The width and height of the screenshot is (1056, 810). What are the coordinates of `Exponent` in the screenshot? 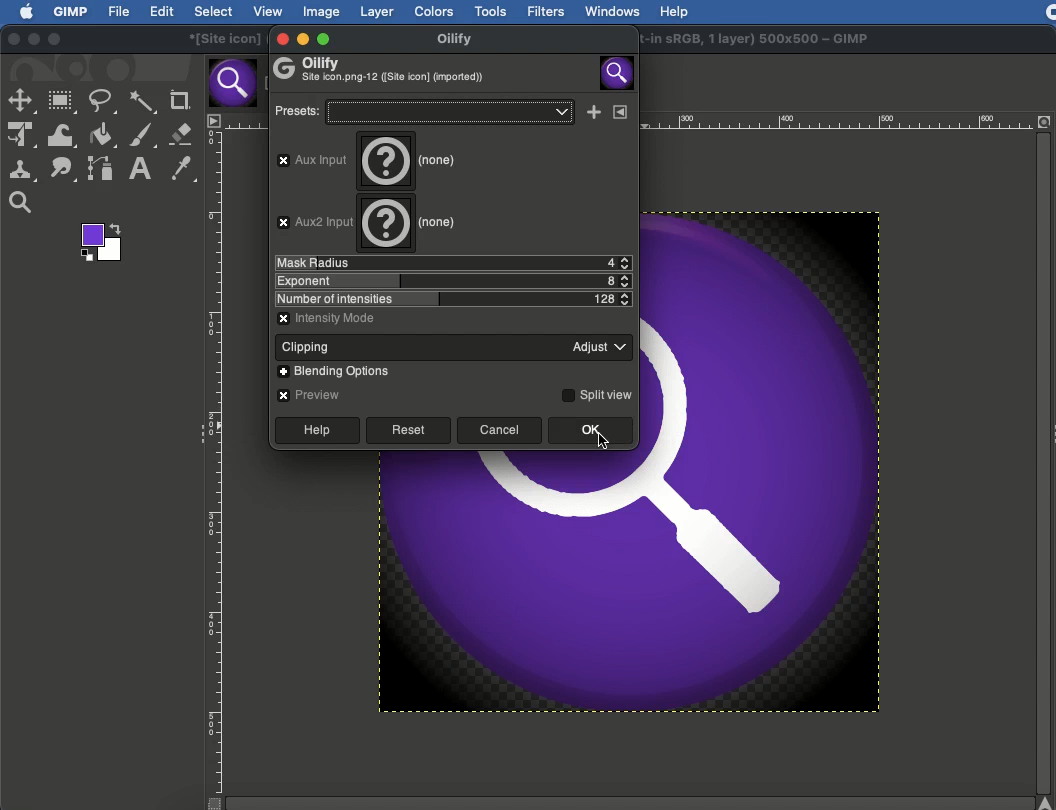 It's located at (452, 281).